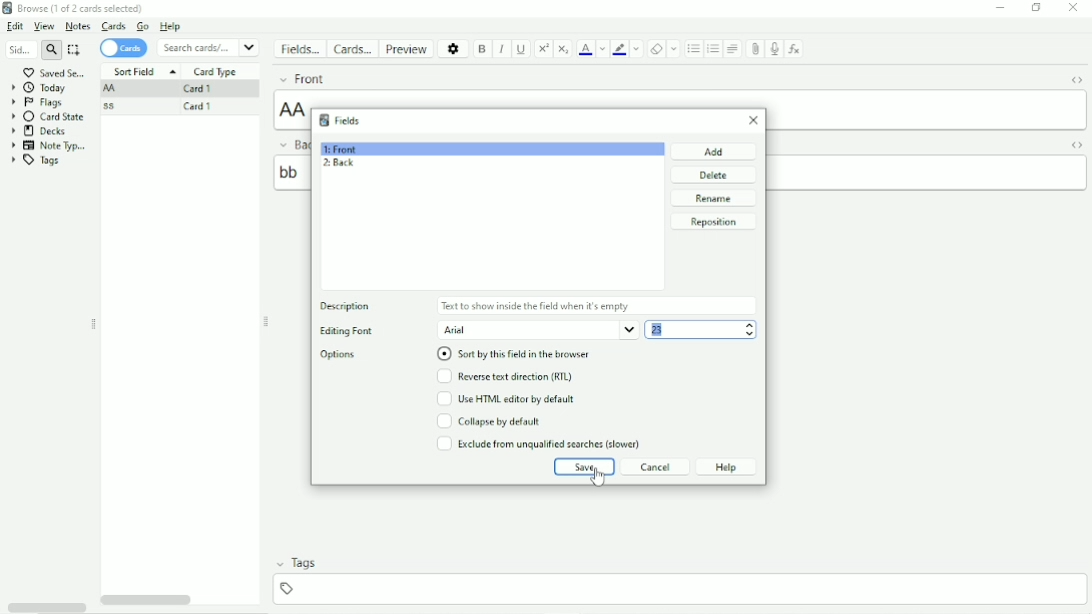 The image size is (1092, 614). I want to click on Horizontal scrollbar, so click(149, 600).